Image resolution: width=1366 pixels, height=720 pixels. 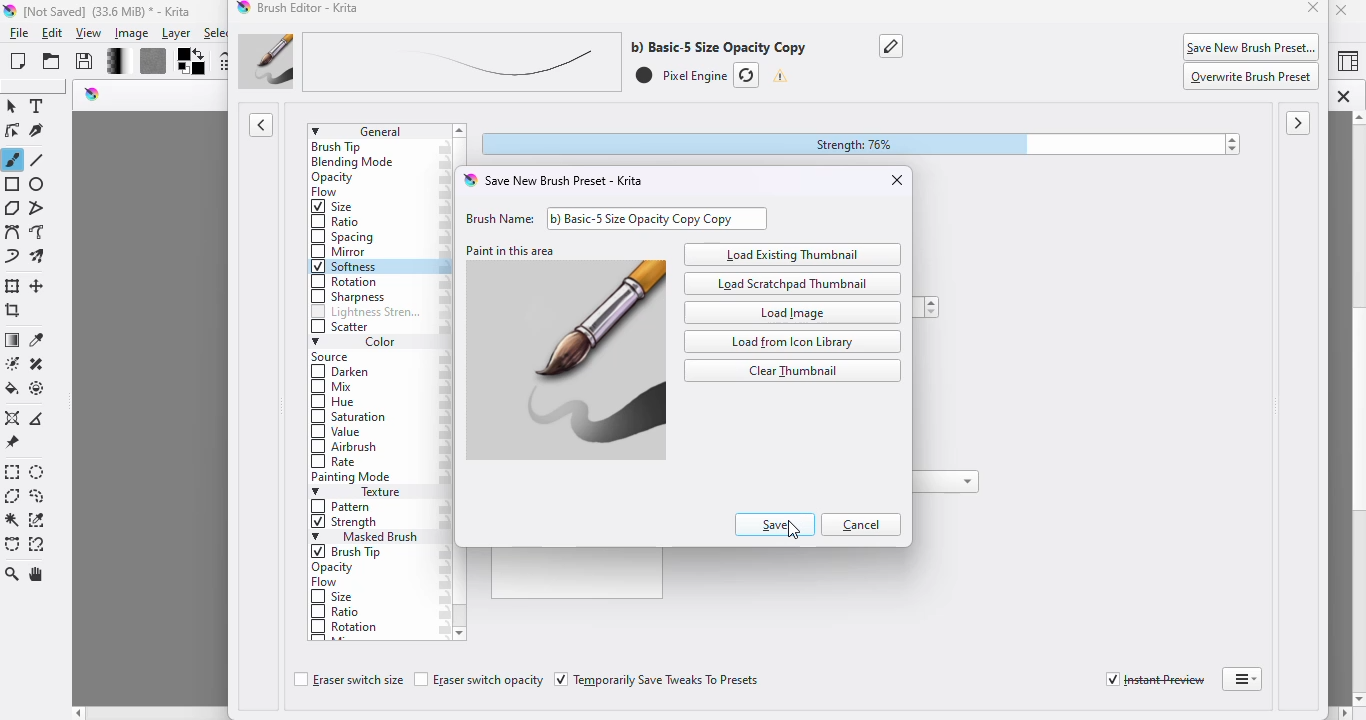 What do you see at coordinates (54, 33) in the screenshot?
I see `edit` at bounding box center [54, 33].